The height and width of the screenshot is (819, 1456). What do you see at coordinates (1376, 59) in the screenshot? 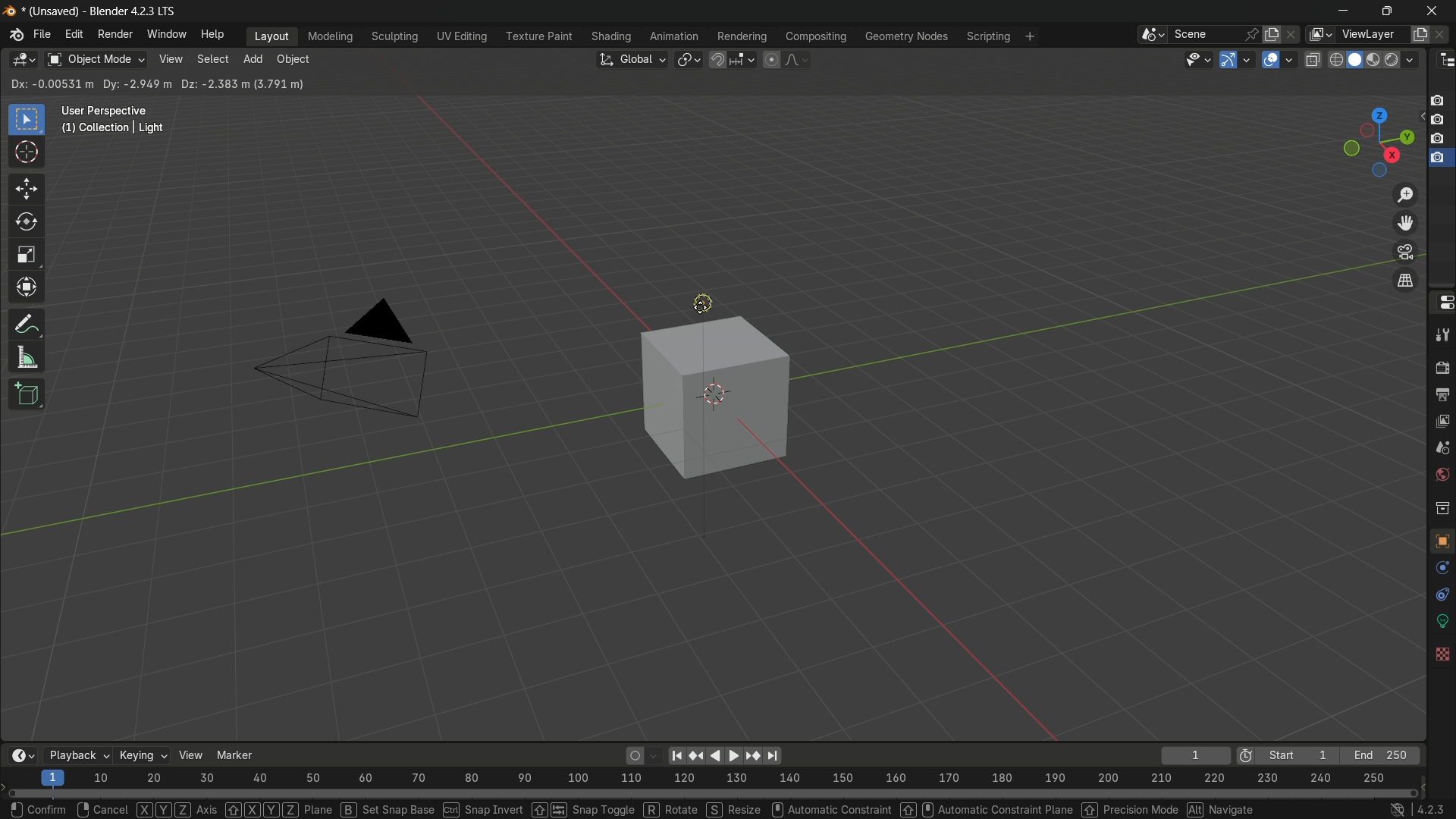
I see `material preview` at bounding box center [1376, 59].